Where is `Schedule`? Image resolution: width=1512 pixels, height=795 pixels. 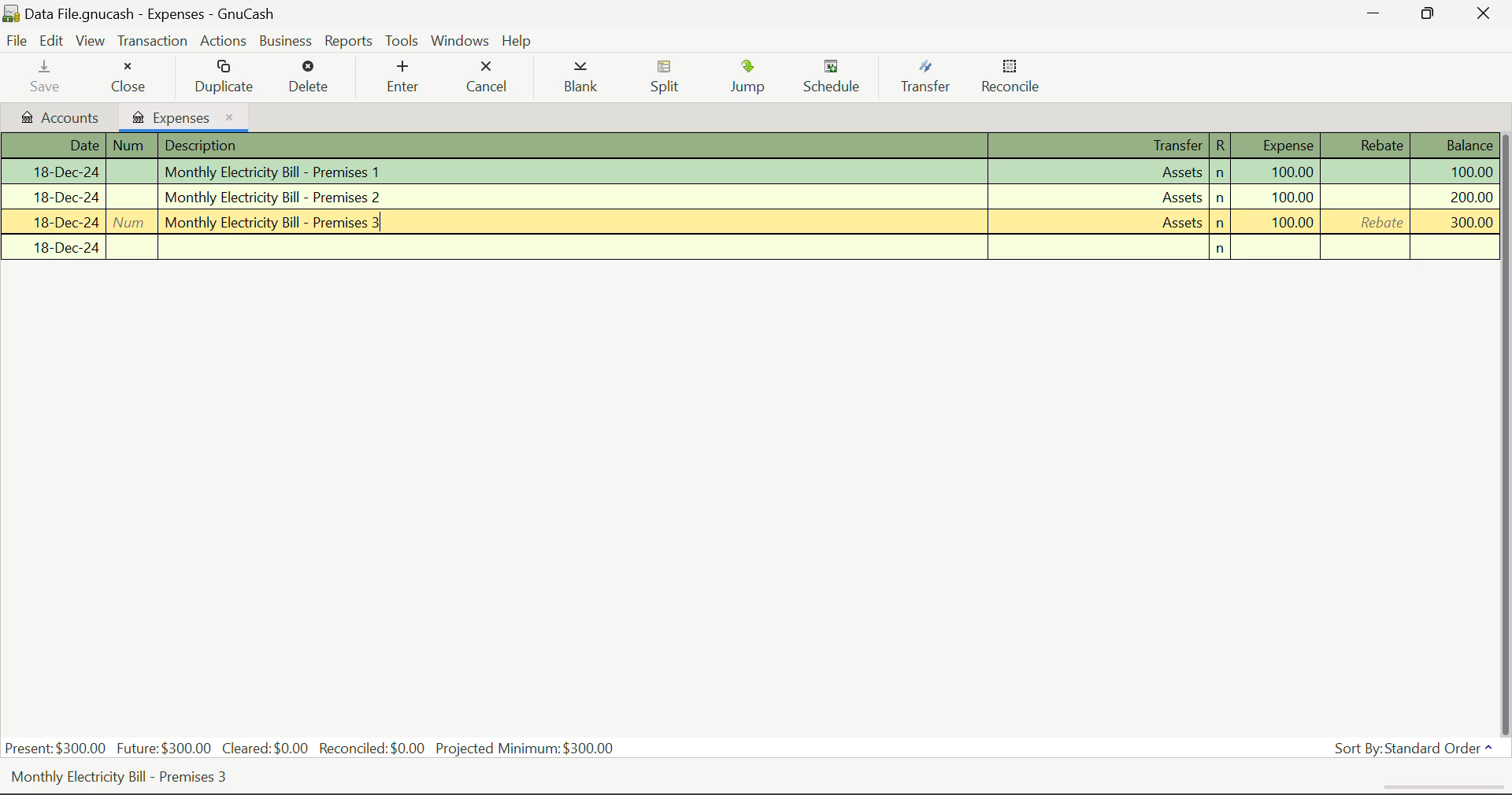 Schedule is located at coordinates (840, 79).